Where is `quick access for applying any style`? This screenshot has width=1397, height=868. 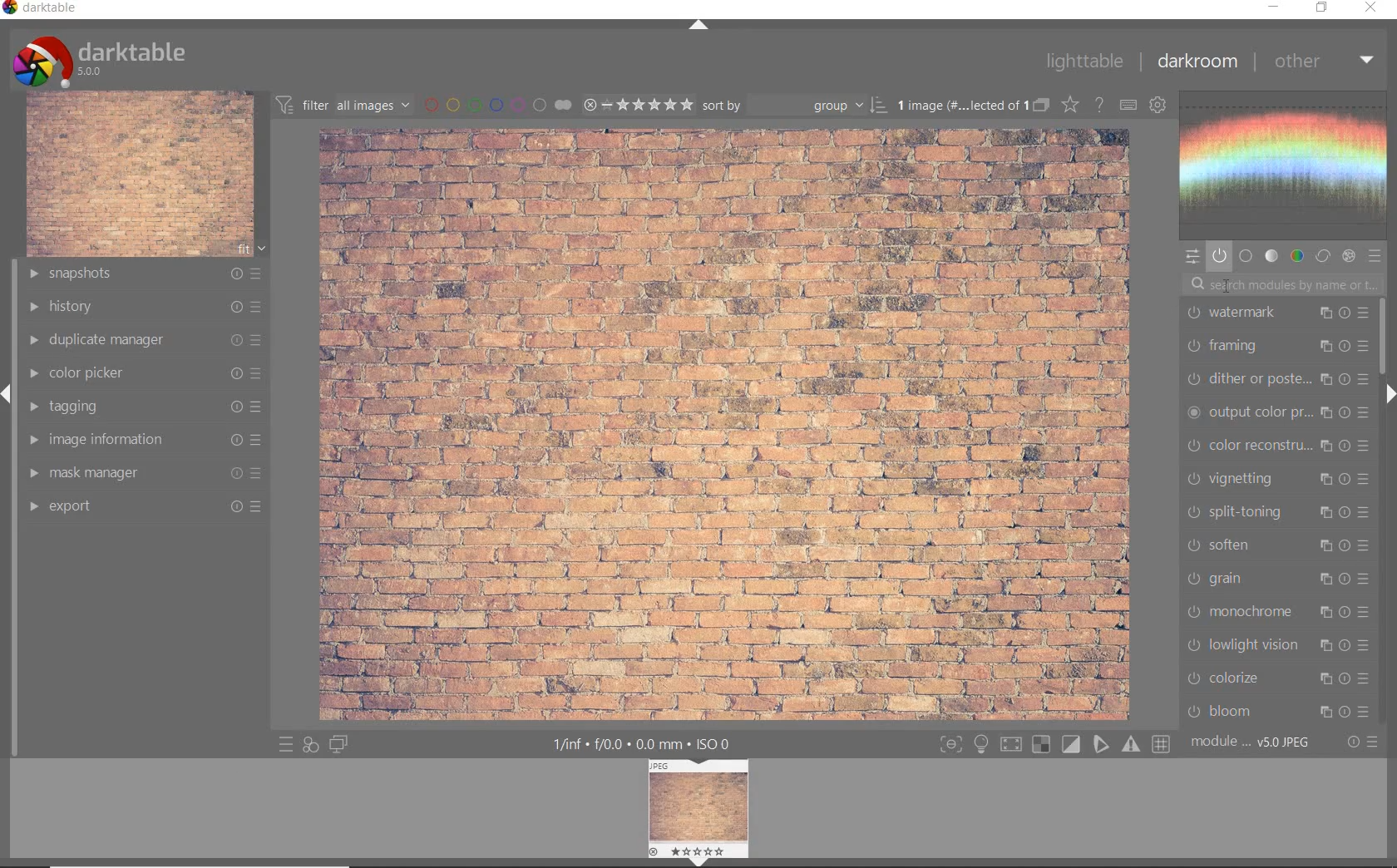 quick access for applying any style is located at coordinates (309, 747).